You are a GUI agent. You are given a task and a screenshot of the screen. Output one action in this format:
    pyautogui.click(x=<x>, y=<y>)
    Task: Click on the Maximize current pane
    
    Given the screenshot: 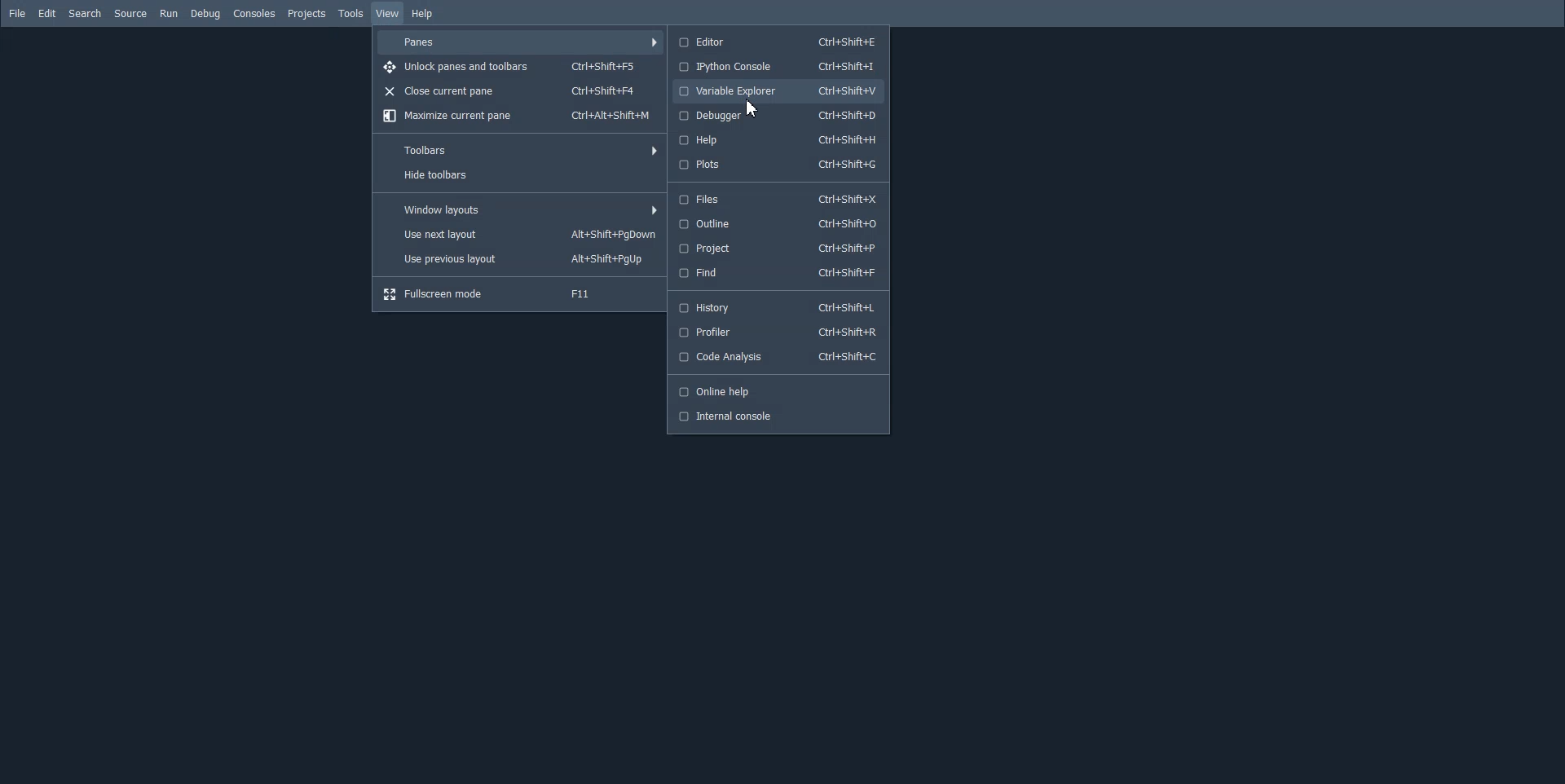 What is the action you would take?
    pyautogui.click(x=519, y=117)
    